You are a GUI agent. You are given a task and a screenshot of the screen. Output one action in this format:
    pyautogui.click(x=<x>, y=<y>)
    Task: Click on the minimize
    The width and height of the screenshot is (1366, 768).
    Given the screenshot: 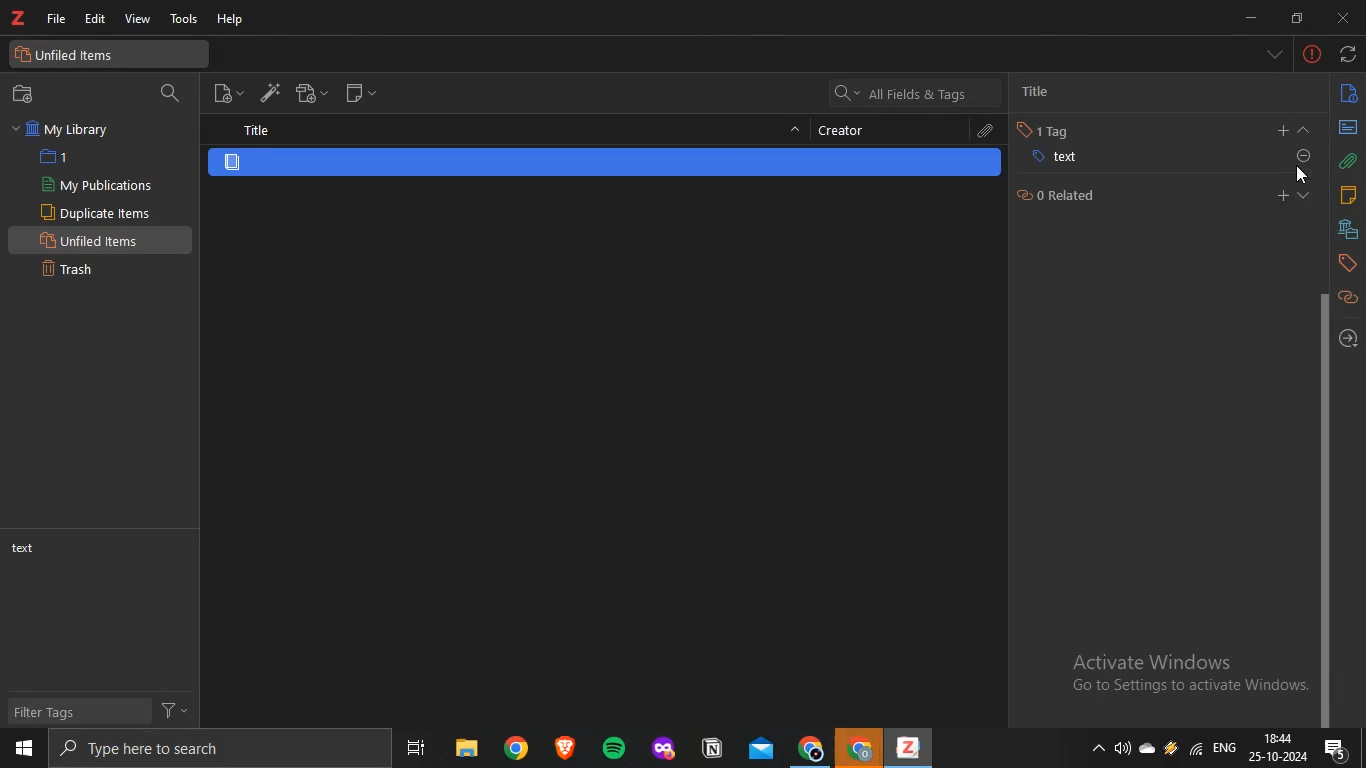 What is the action you would take?
    pyautogui.click(x=1250, y=18)
    